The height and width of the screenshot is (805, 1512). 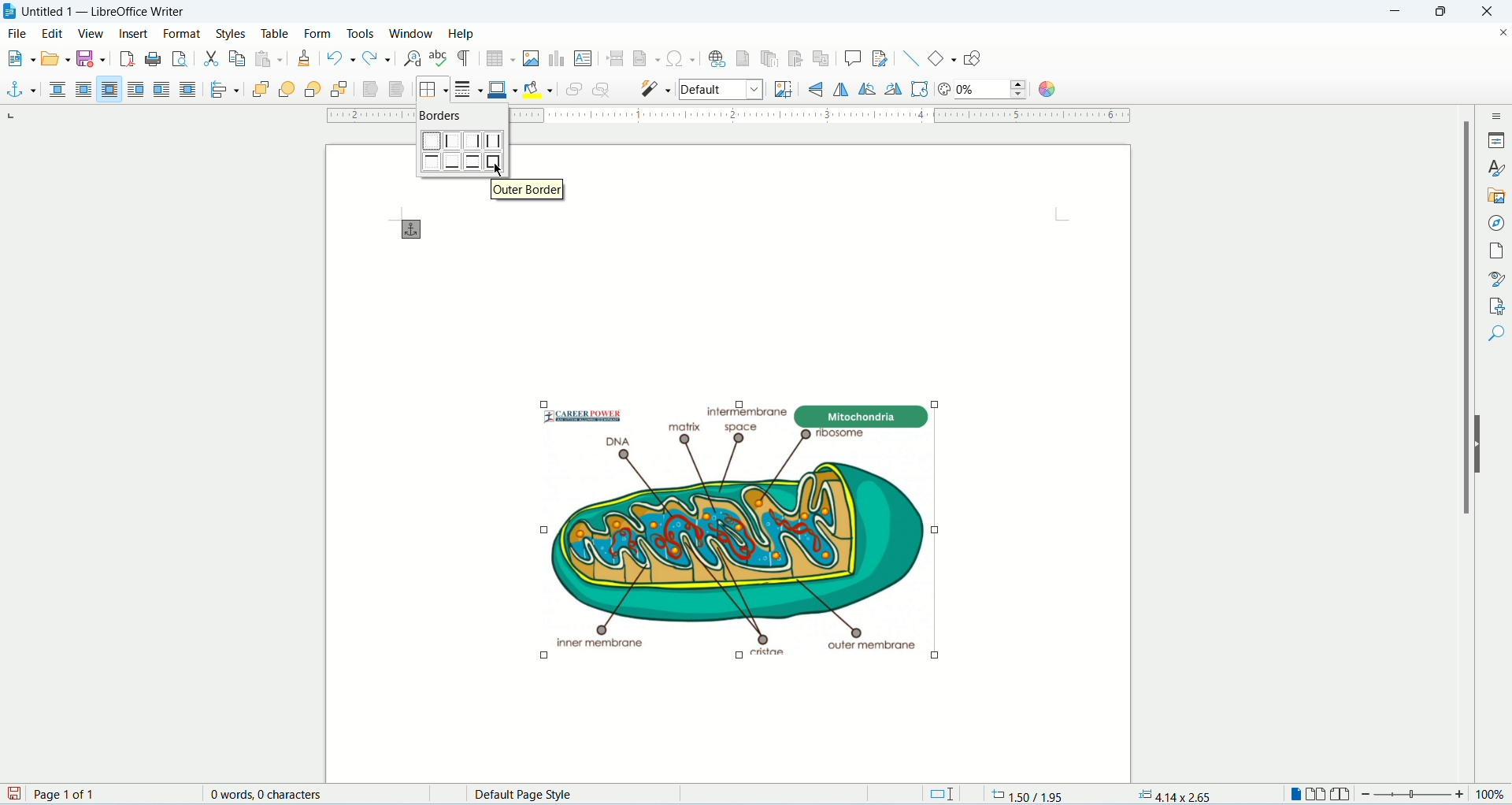 I want to click on insert text box, so click(x=583, y=57).